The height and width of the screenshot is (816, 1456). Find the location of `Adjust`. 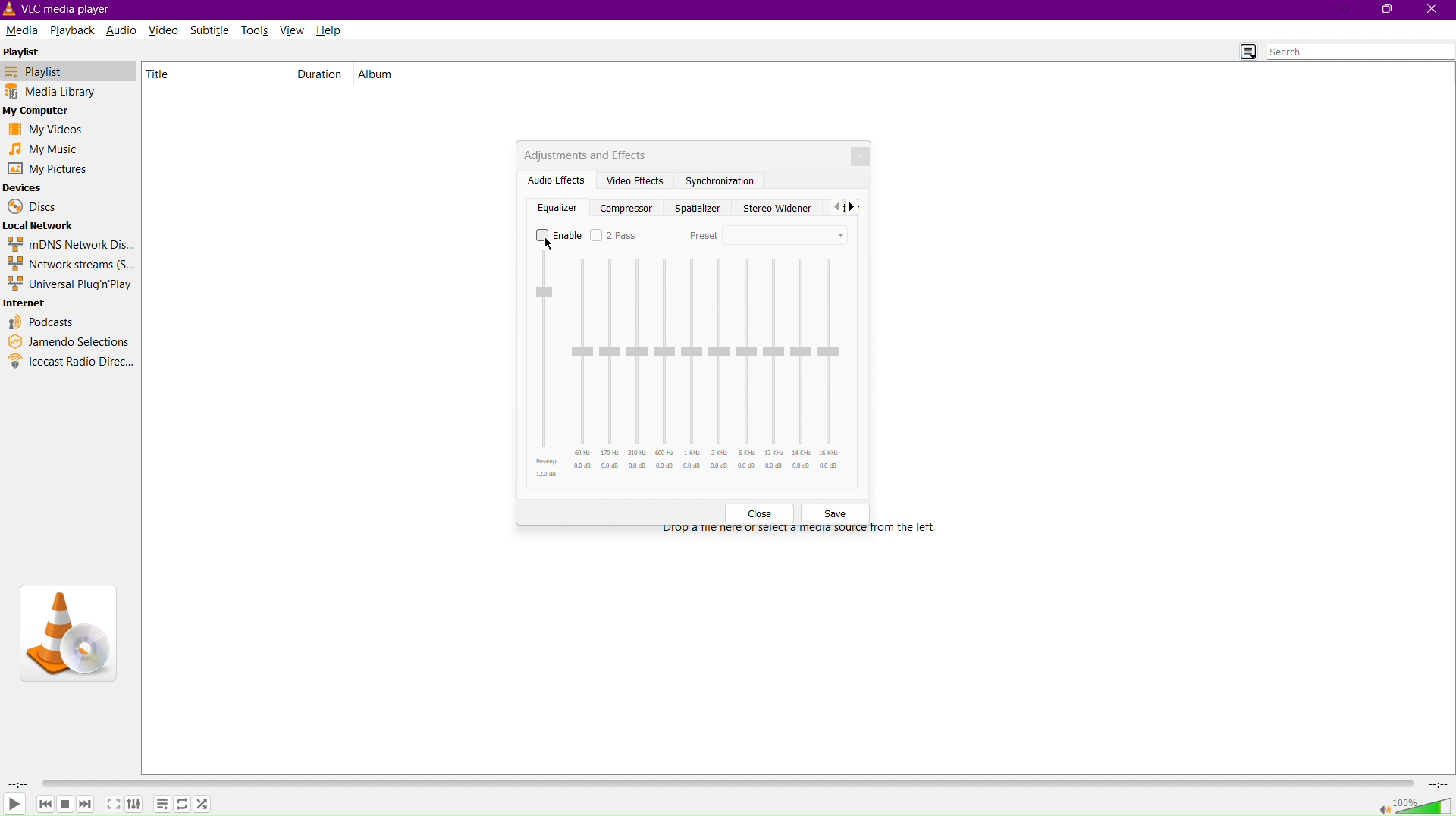

Adjust is located at coordinates (136, 802).